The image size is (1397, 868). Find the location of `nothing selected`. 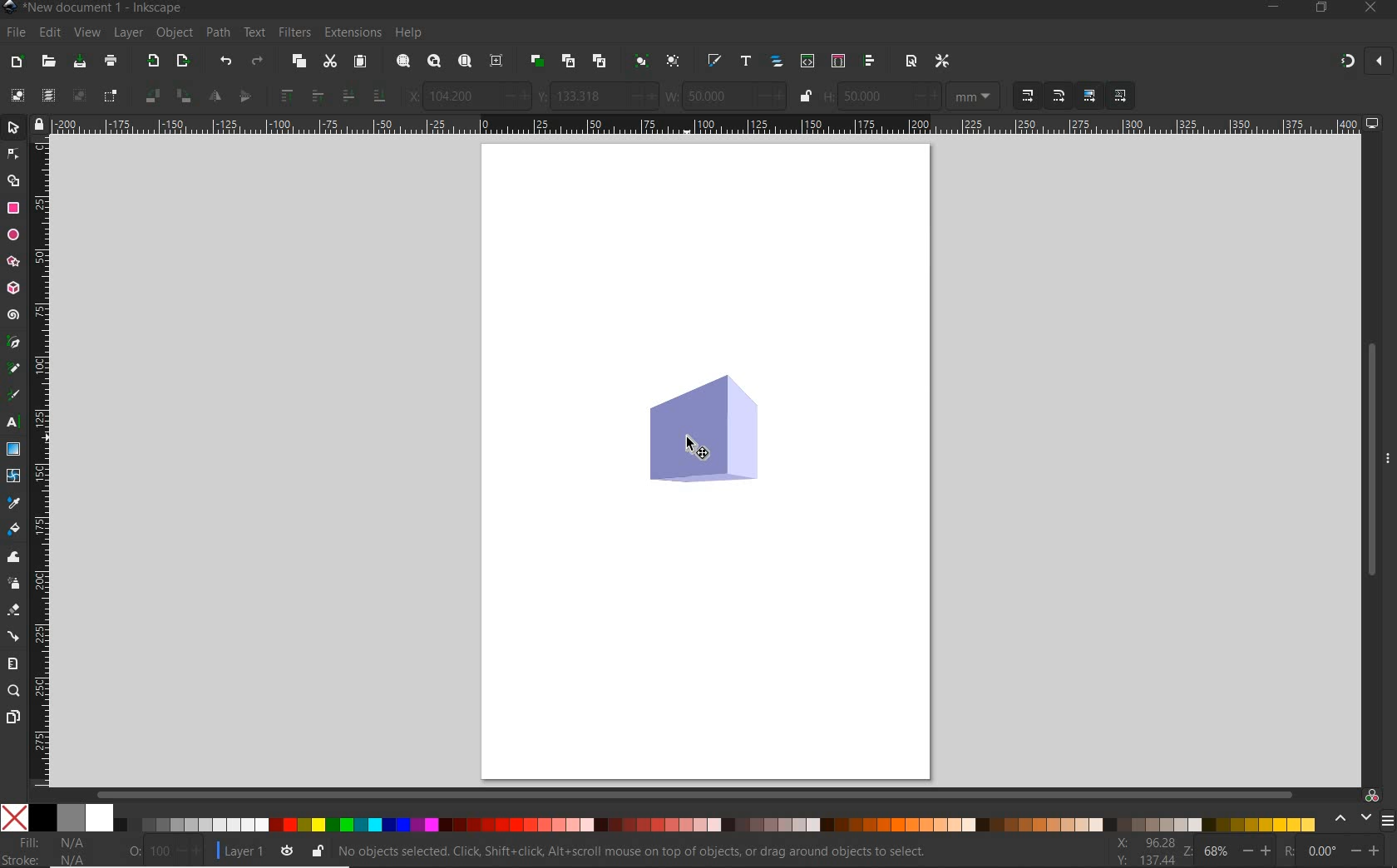

nothing selected is located at coordinates (131, 851).